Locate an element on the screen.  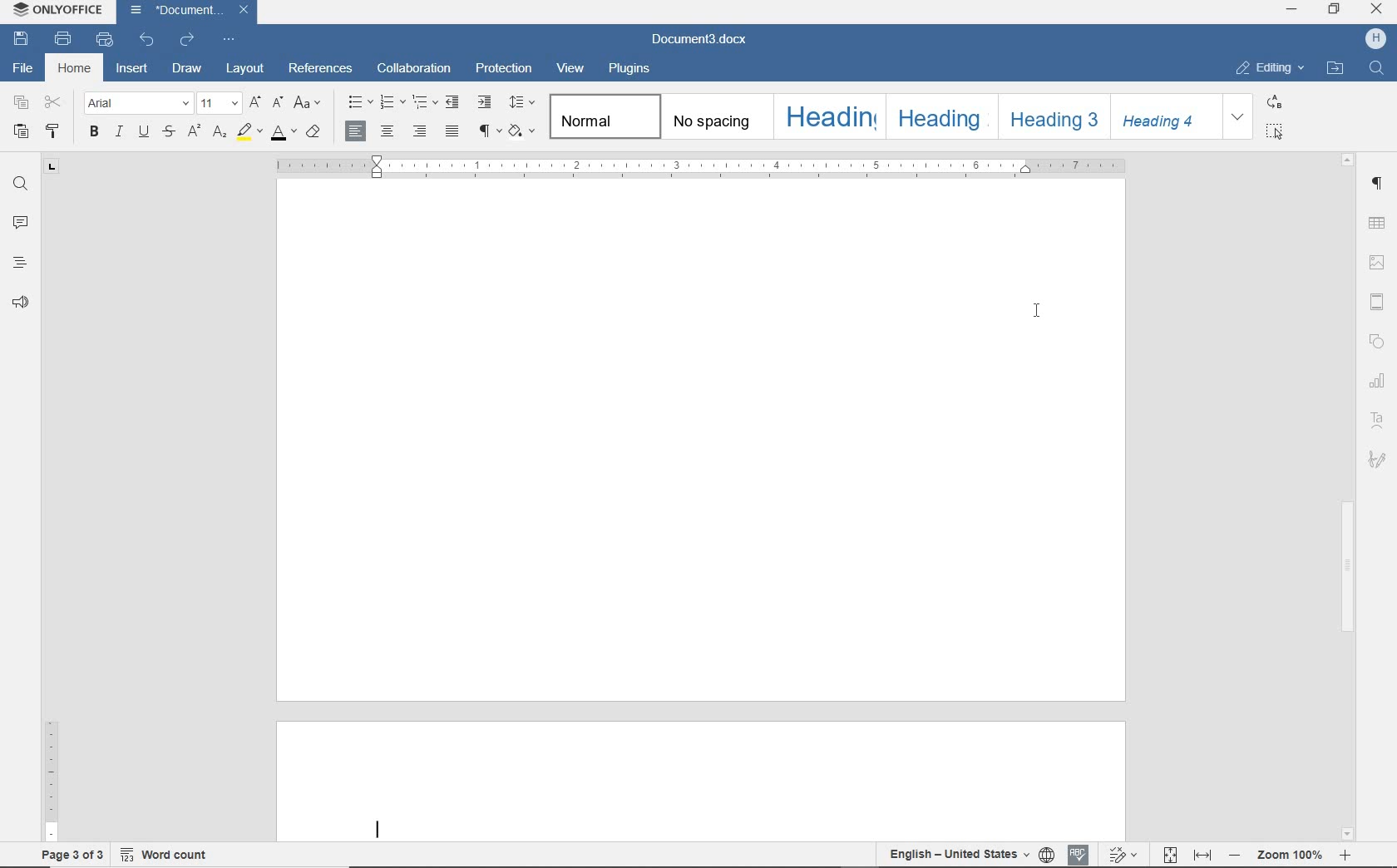
TABLE is located at coordinates (1379, 222).